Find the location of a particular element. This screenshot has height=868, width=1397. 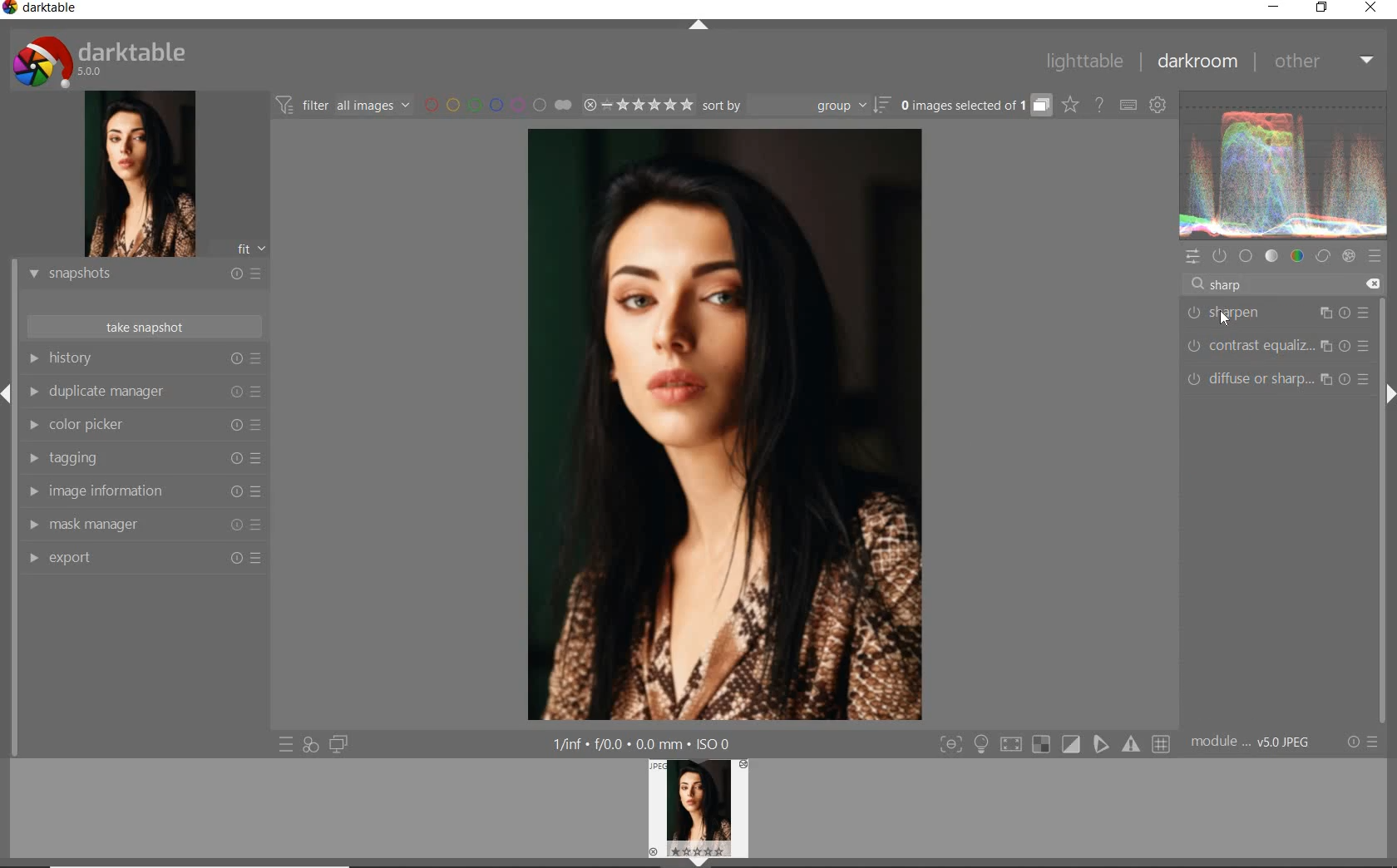

Preview Image is located at coordinates (698, 808).